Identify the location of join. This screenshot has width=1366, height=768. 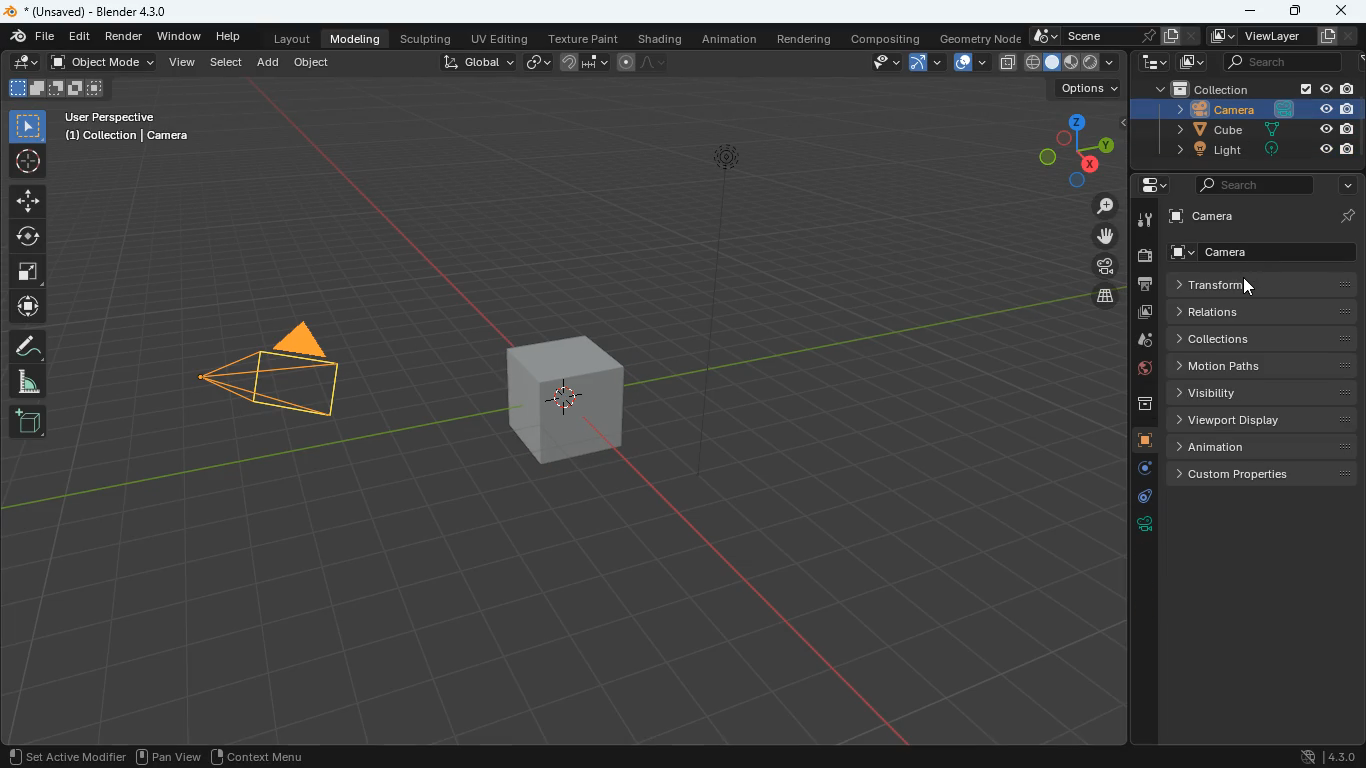
(581, 64).